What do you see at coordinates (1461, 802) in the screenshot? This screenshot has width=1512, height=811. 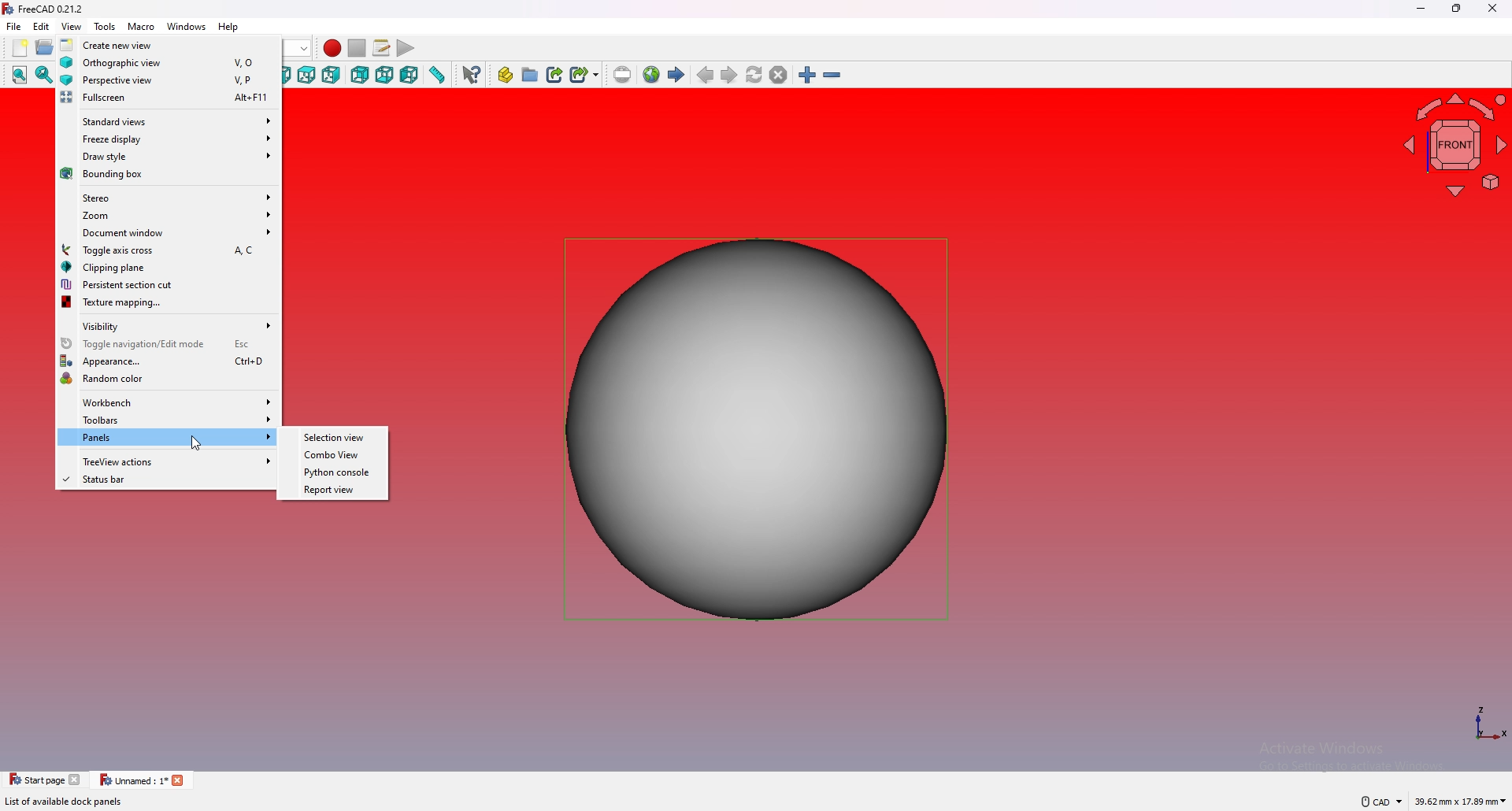 I see `dimensions` at bounding box center [1461, 802].